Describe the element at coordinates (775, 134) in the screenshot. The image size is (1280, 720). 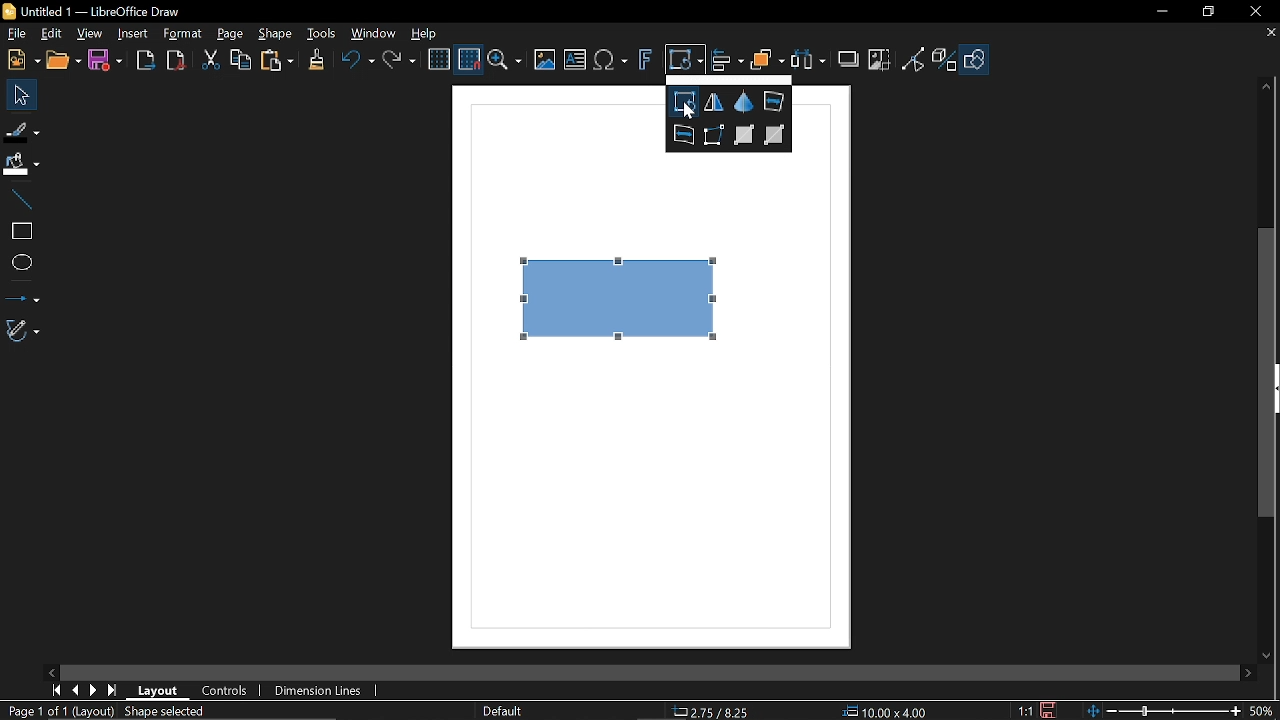
I see `Interactive gradient tool` at that location.